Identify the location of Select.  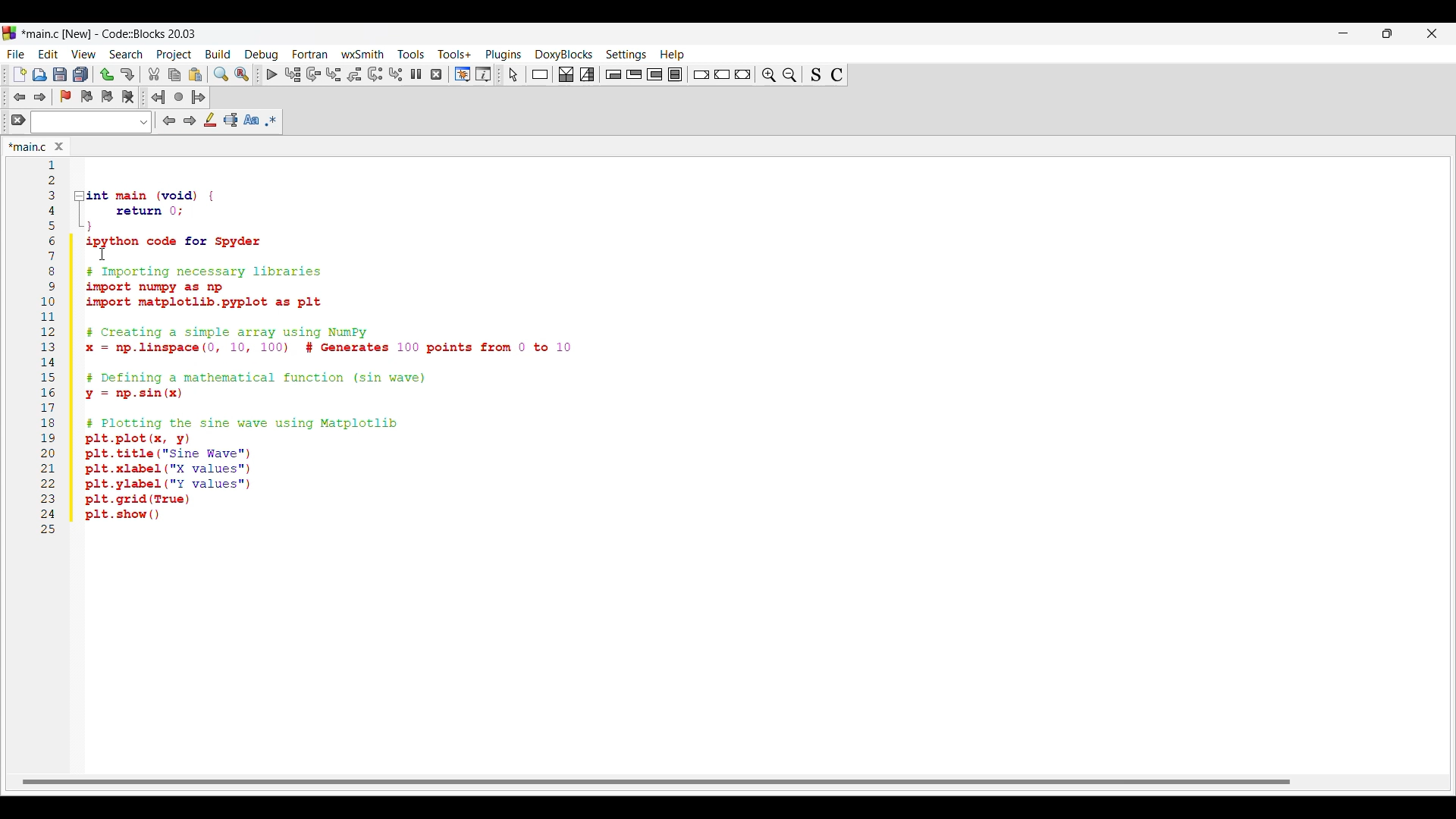
(513, 74).